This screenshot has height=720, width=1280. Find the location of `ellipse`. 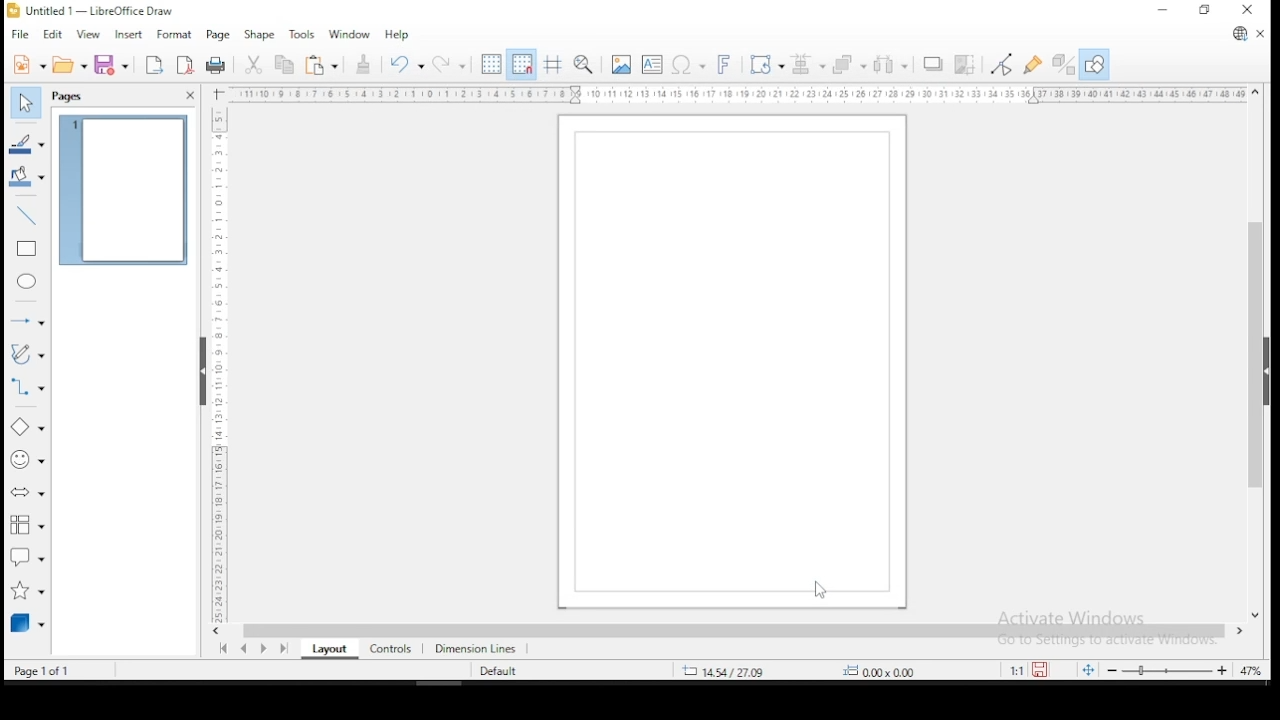

ellipse is located at coordinates (28, 284).